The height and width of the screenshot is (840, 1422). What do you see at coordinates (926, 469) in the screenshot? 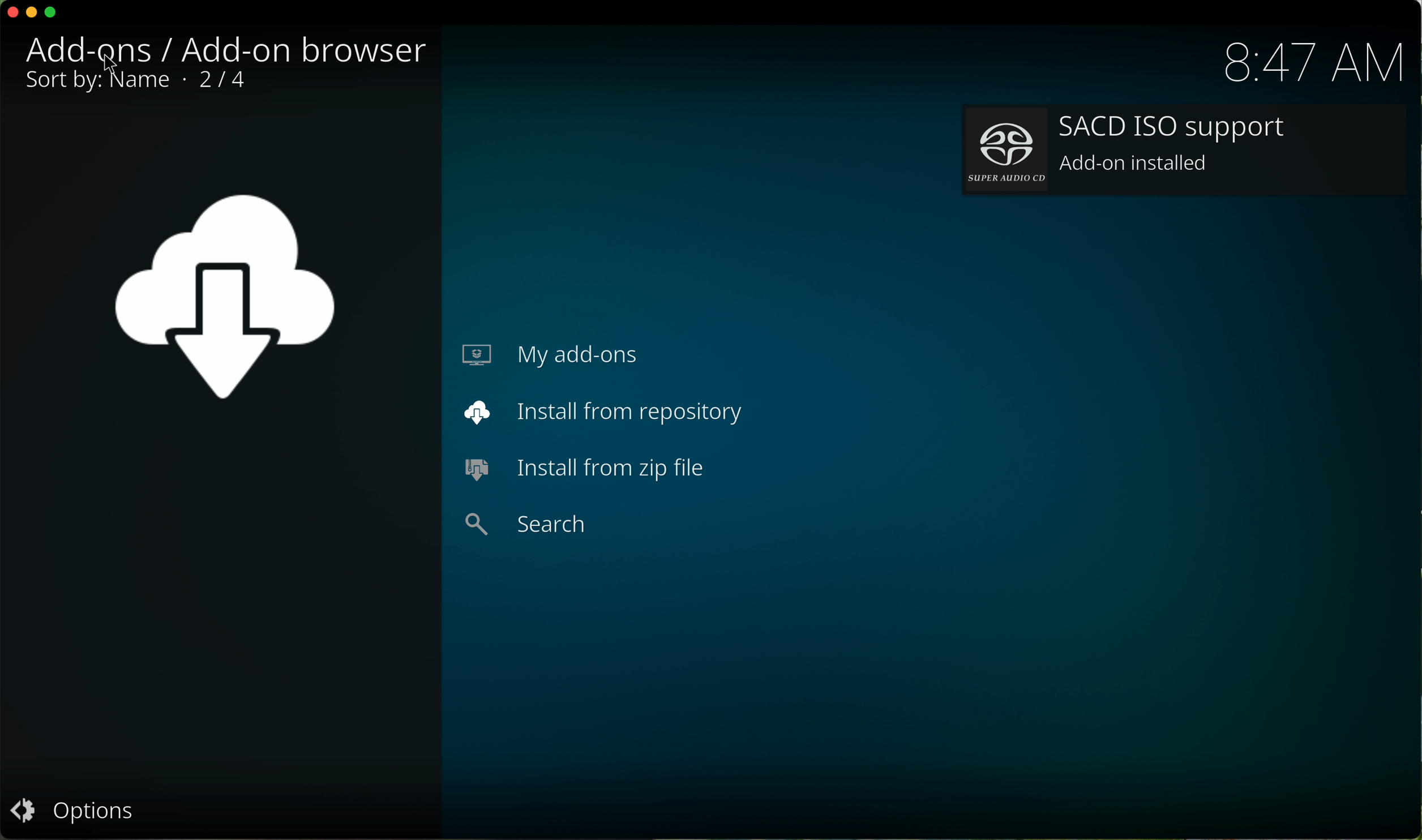
I see `installed` at bounding box center [926, 469].